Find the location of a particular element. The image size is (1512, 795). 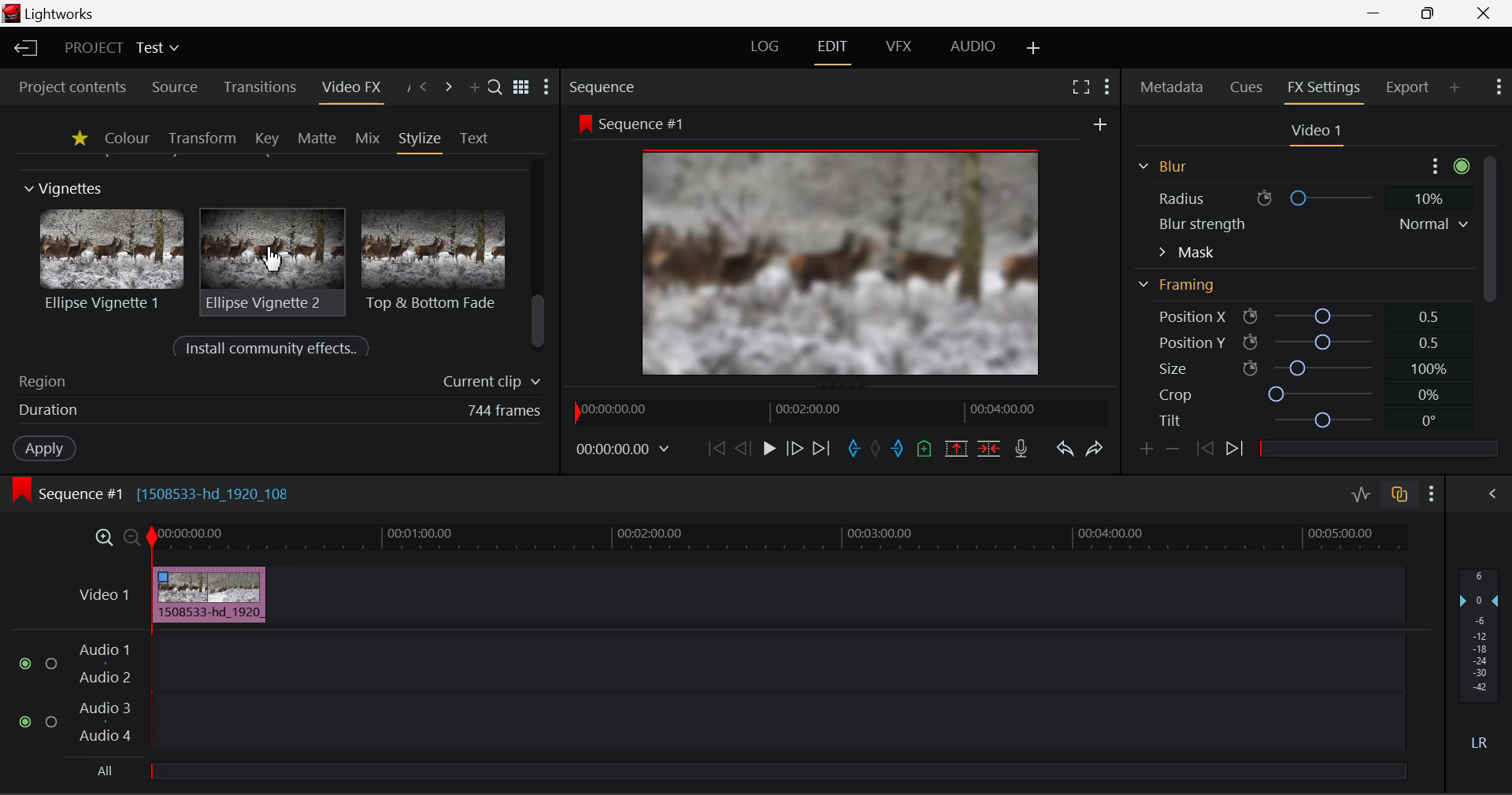

Cues is located at coordinates (1249, 88).